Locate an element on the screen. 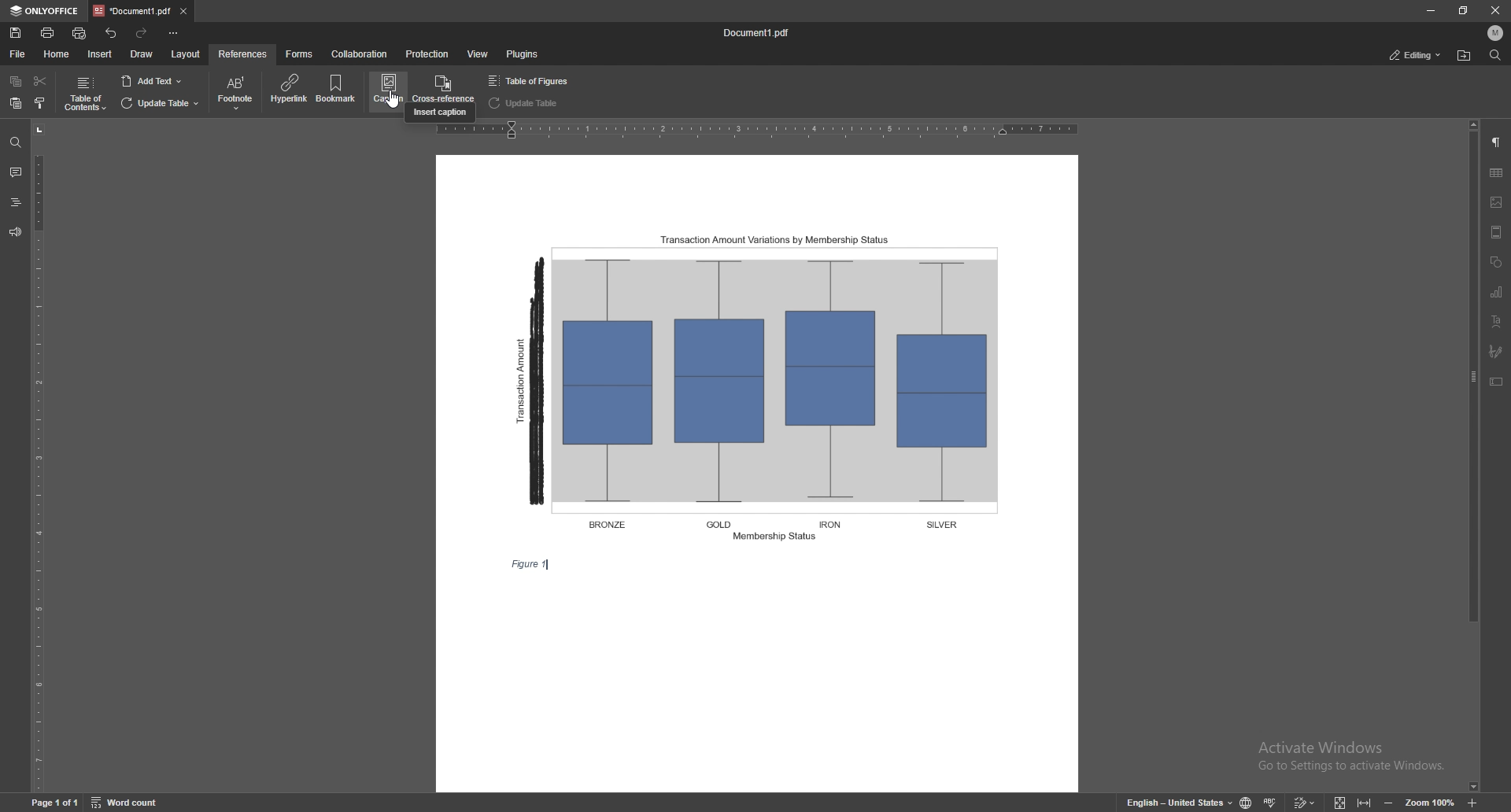 Image resolution: width=1511 pixels, height=812 pixels. fit to screen is located at coordinates (1341, 801).